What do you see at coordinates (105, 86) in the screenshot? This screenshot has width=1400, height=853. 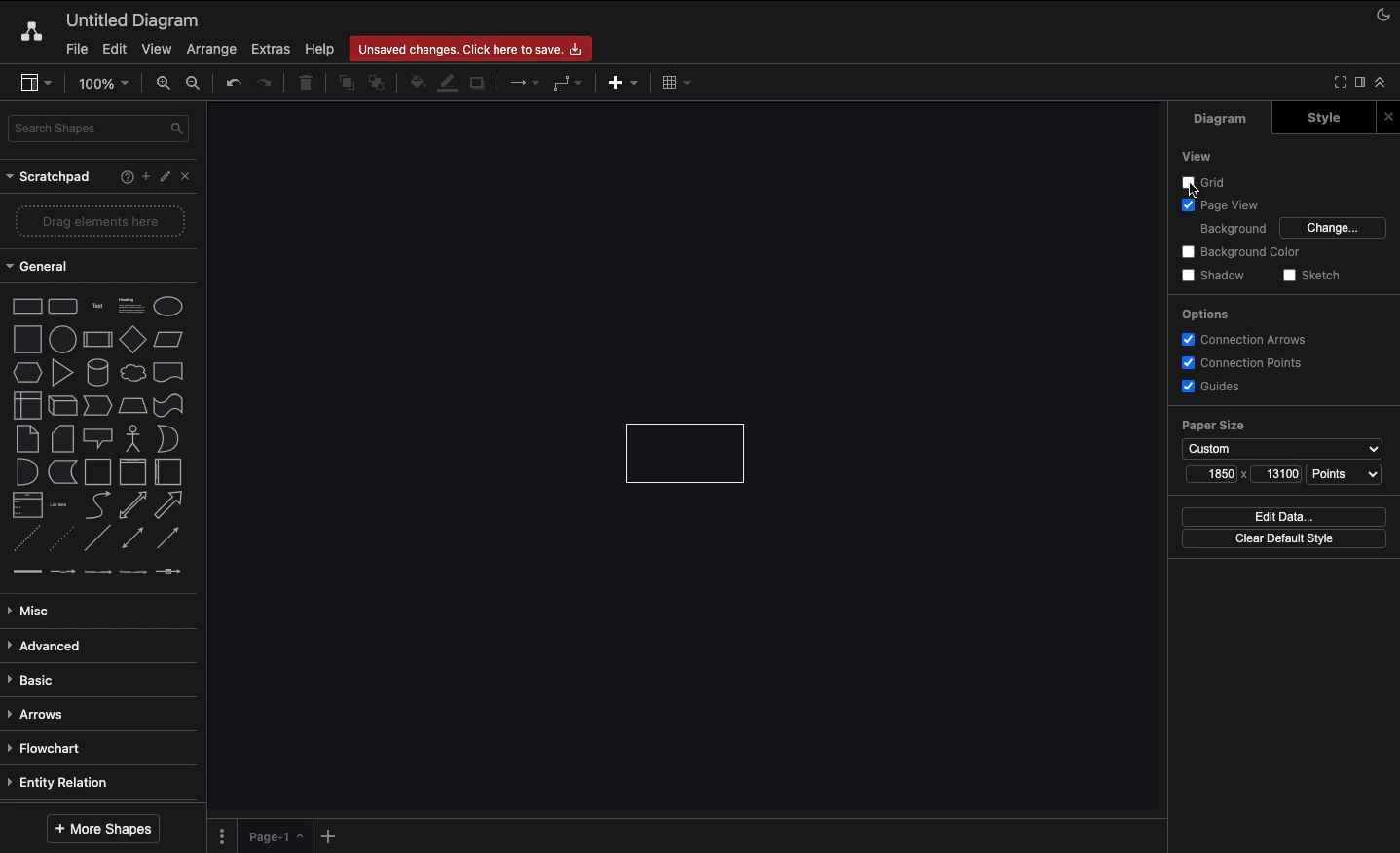 I see `Zoom` at bounding box center [105, 86].